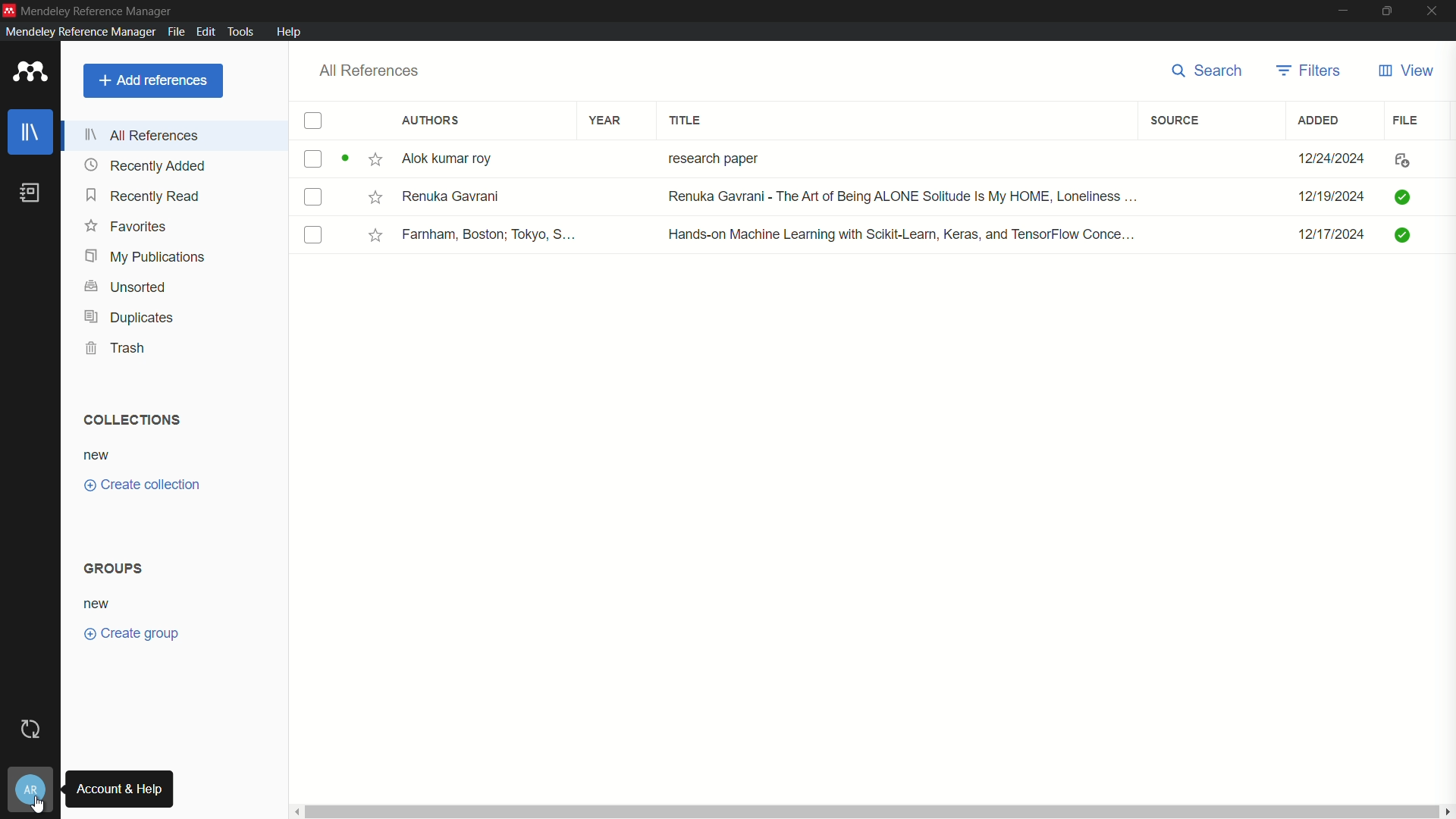 The height and width of the screenshot is (819, 1456). What do you see at coordinates (154, 80) in the screenshot?
I see `add reference` at bounding box center [154, 80].